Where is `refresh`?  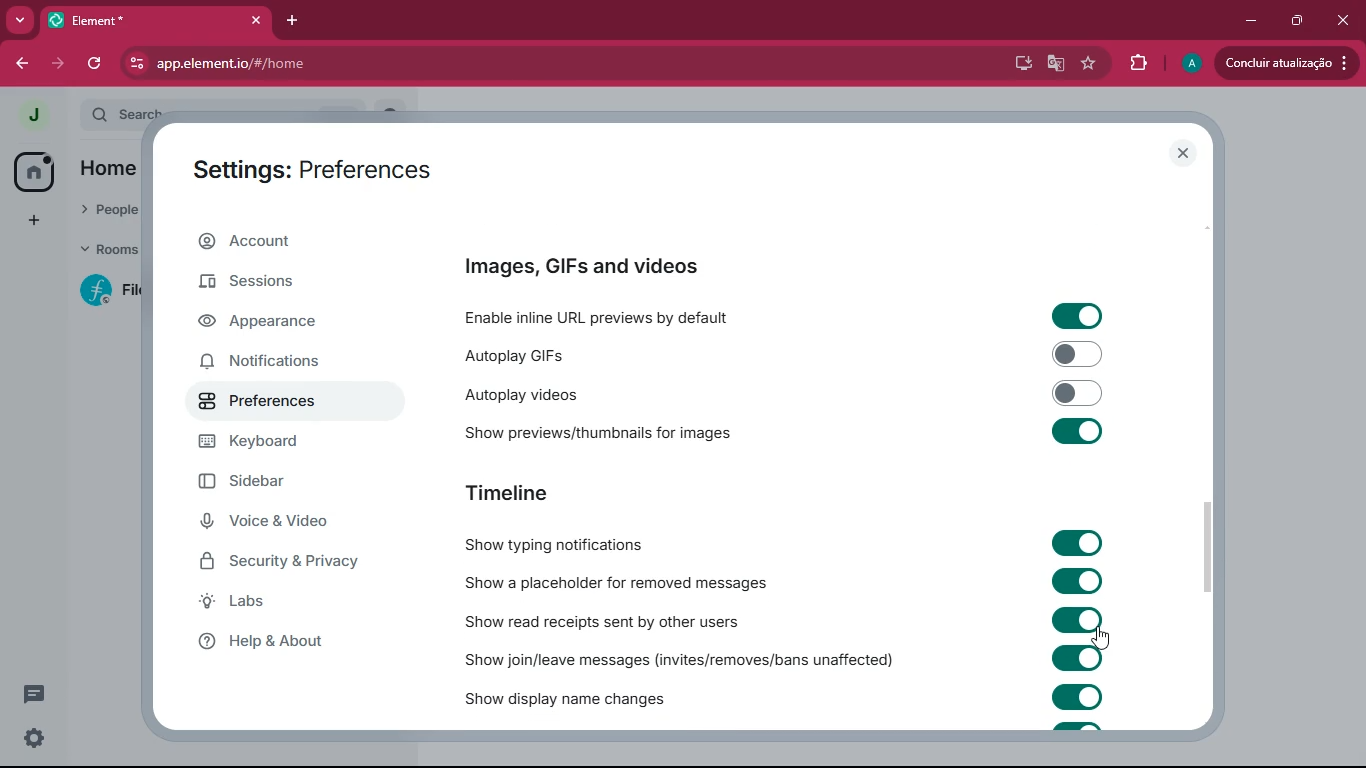 refresh is located at coordinates (96, 64).